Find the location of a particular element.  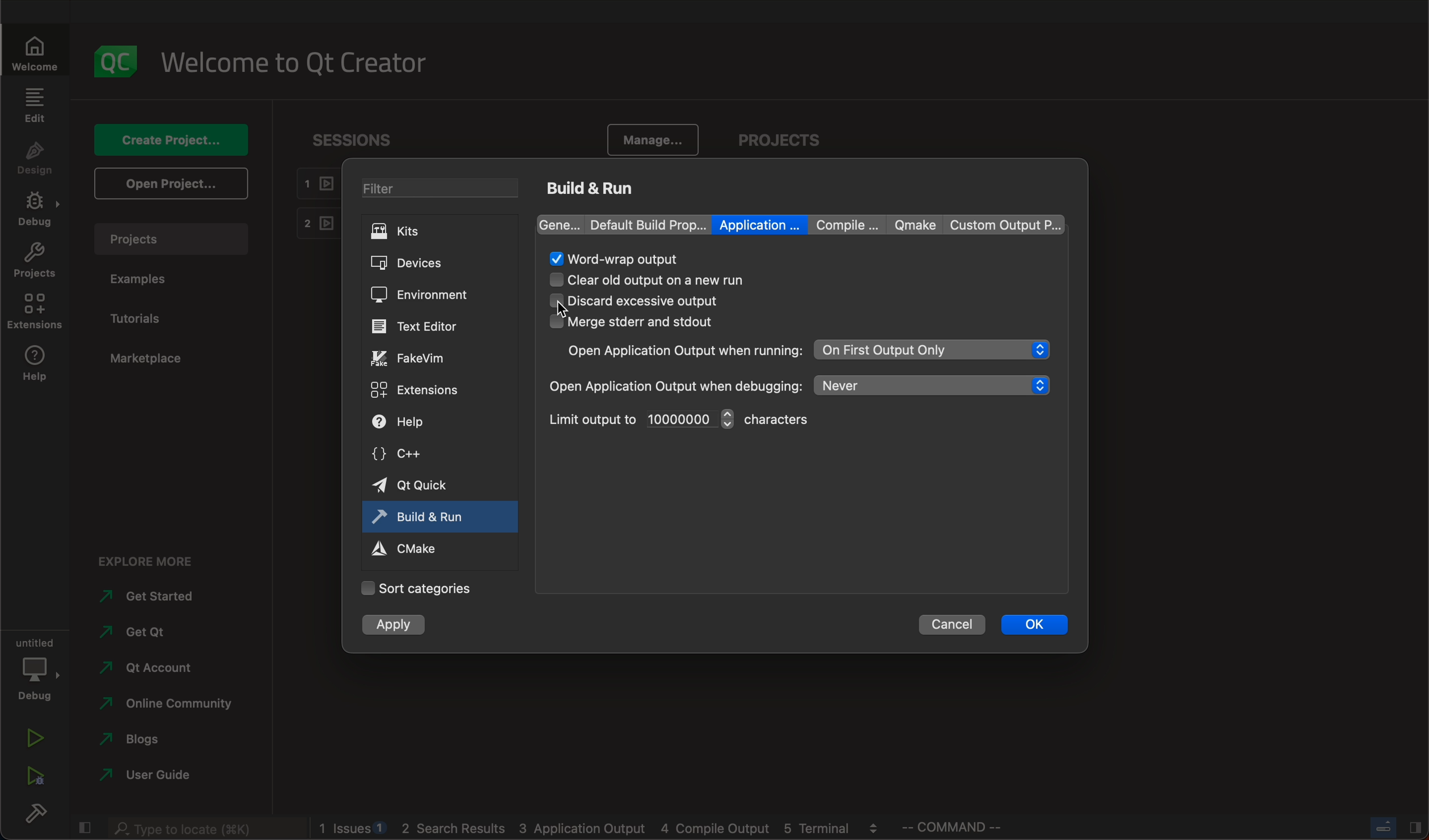

quick is located at coordinates (425, 485).